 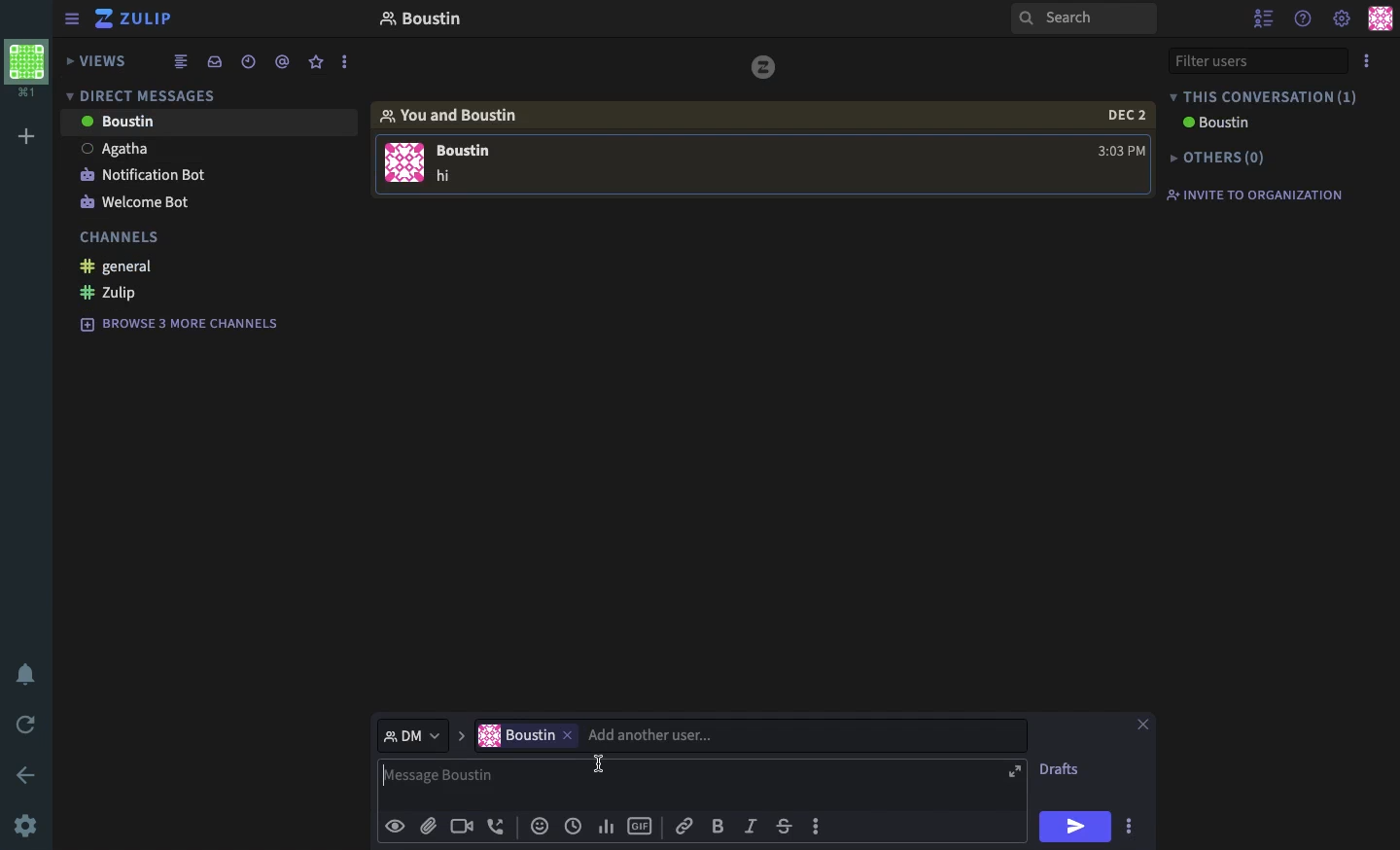 I want to click on back, so click(x=29, y=775).